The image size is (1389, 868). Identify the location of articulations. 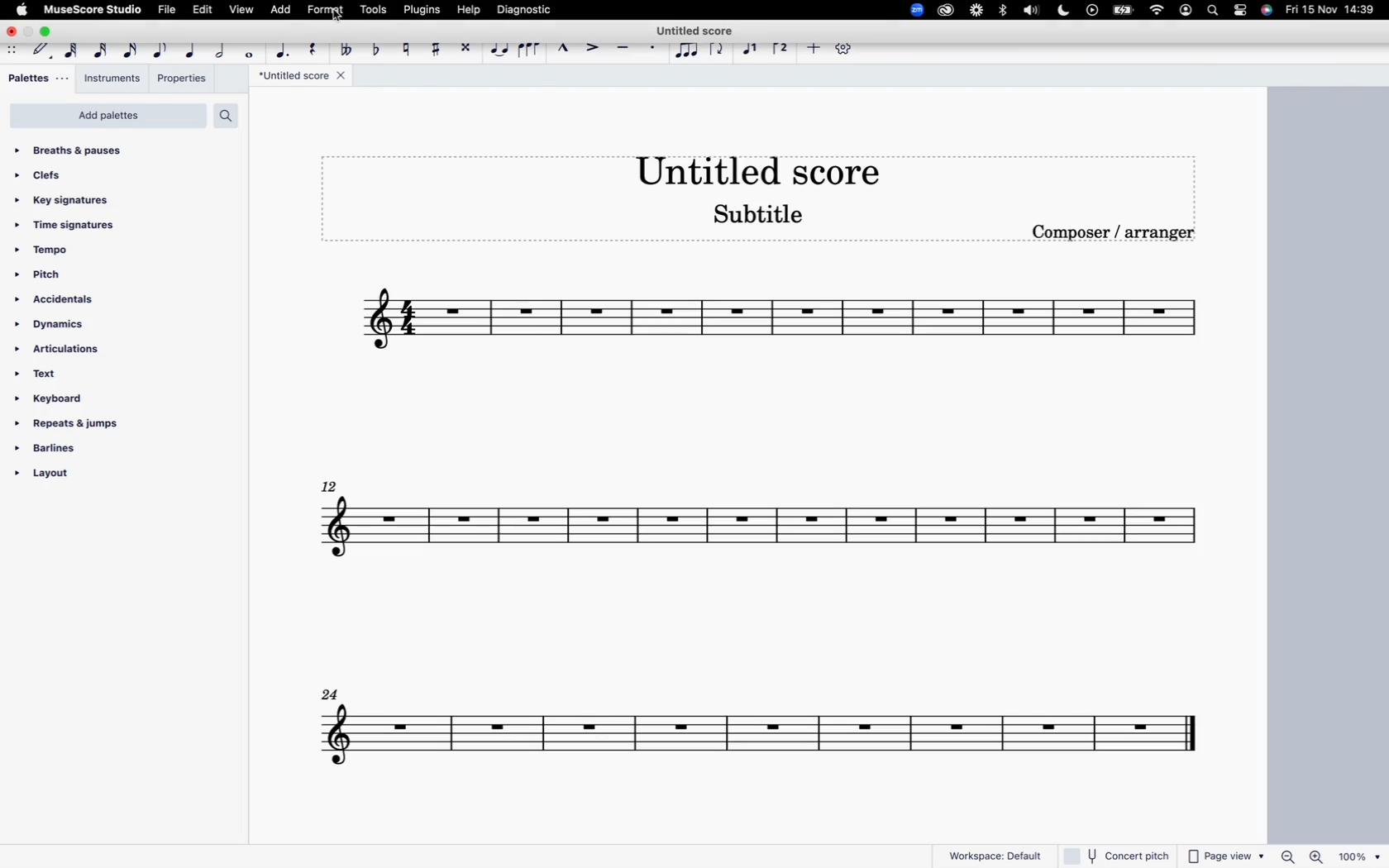
(63, 351).